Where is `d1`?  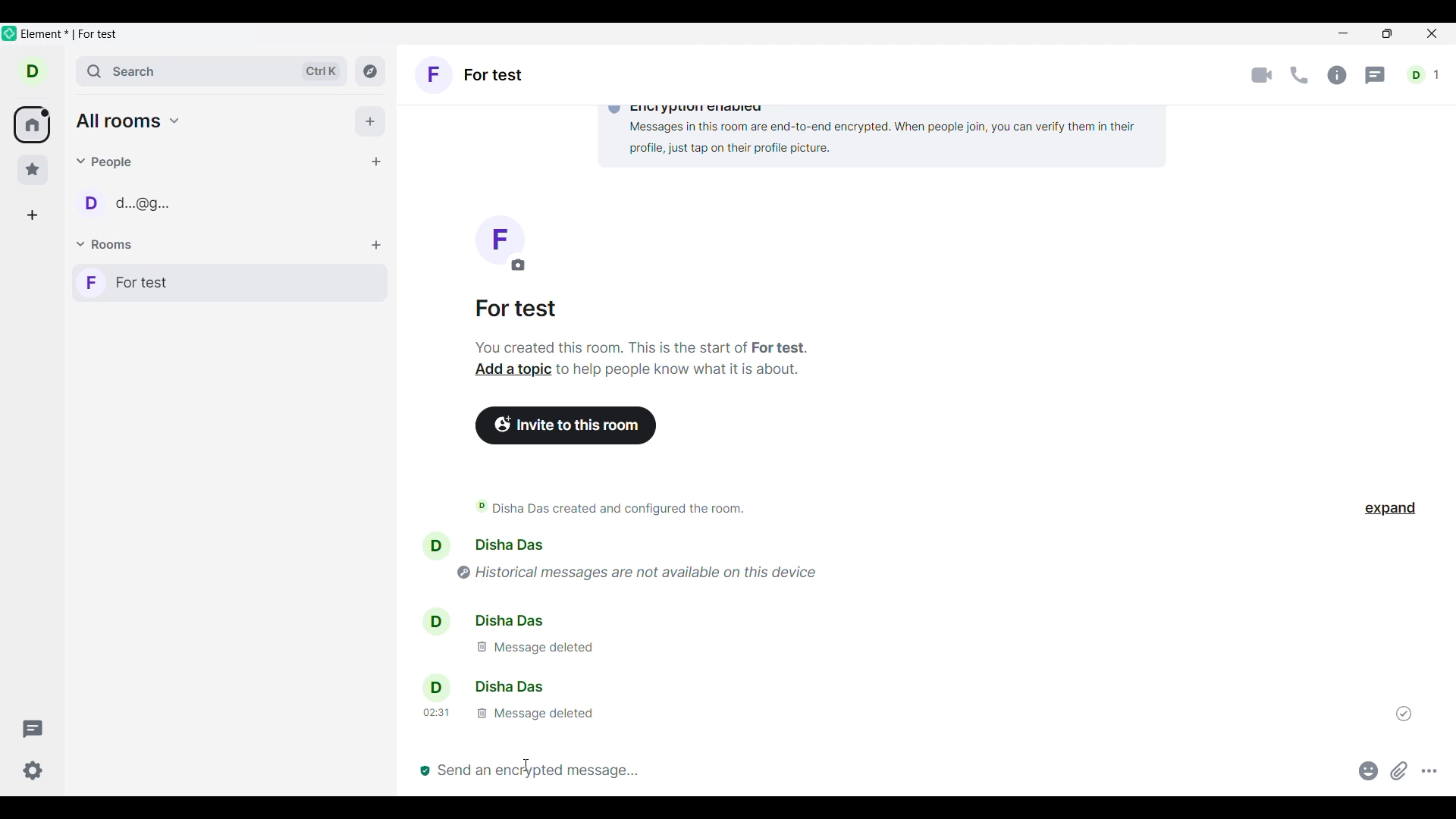 d1 is located at coordinates (1425, 75).